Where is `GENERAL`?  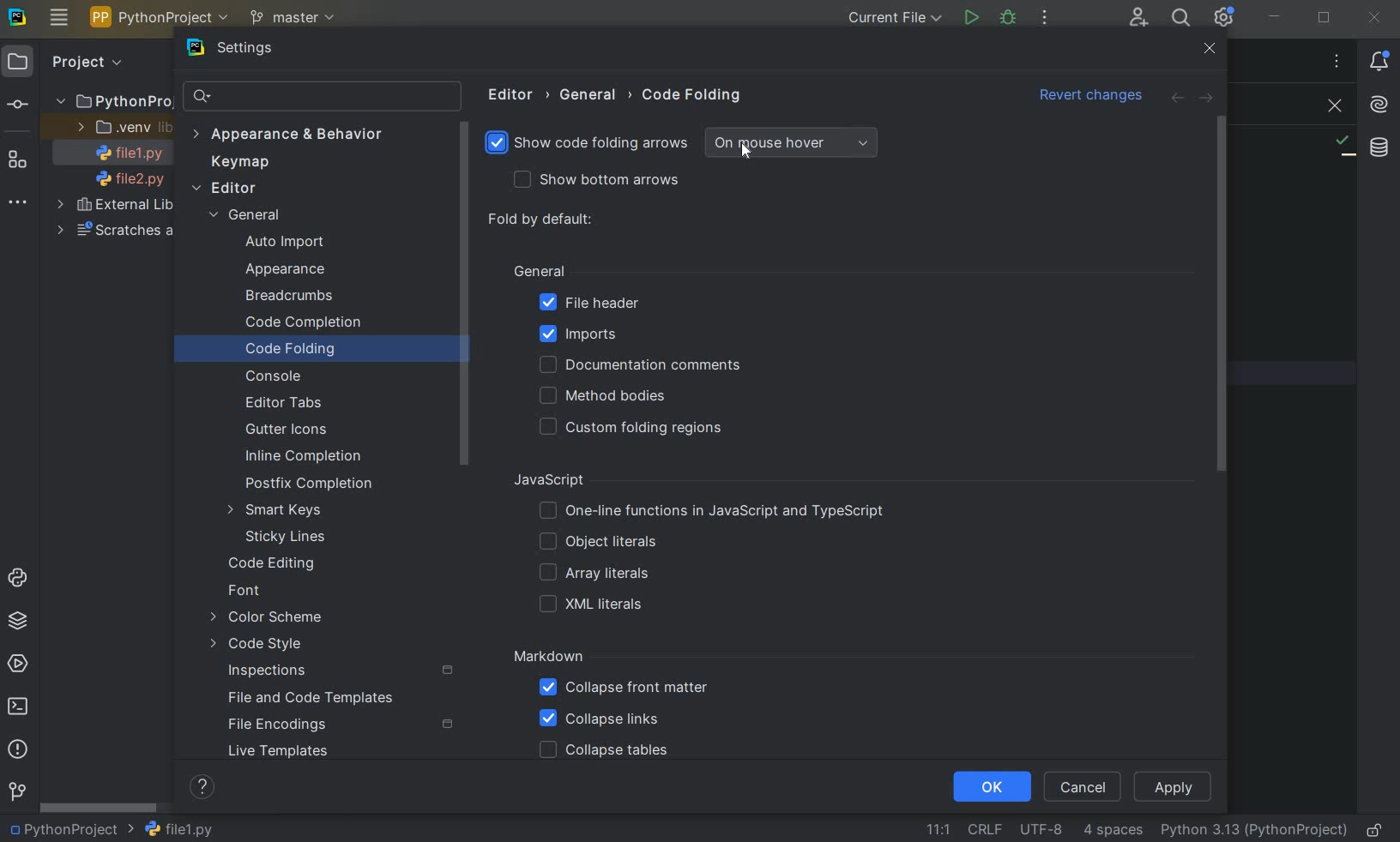 GENERAL is located at coordinates (593, 95).